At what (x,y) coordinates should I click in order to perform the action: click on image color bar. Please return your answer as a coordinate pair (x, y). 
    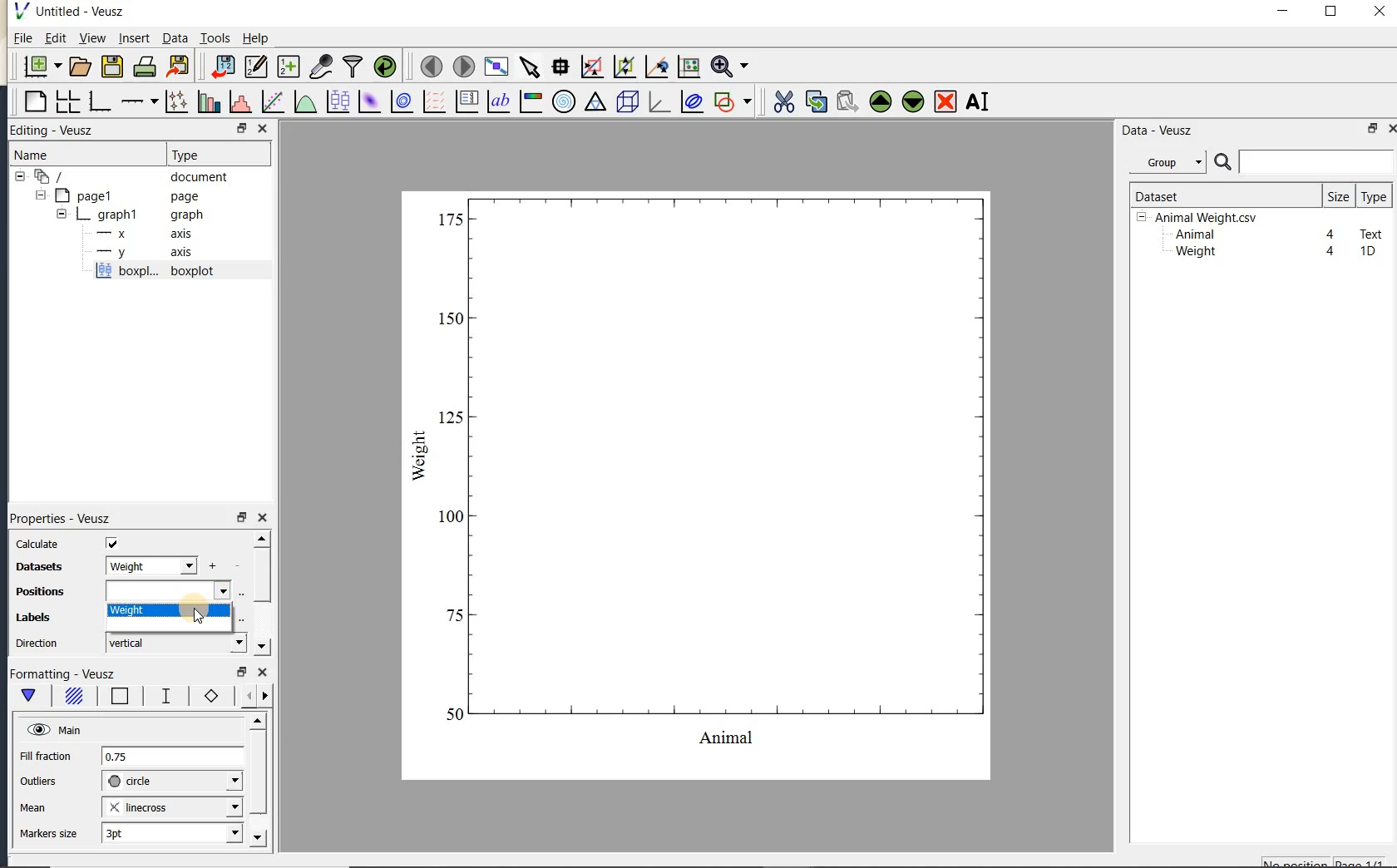
    Looking at the image, I should click on (531, 101).